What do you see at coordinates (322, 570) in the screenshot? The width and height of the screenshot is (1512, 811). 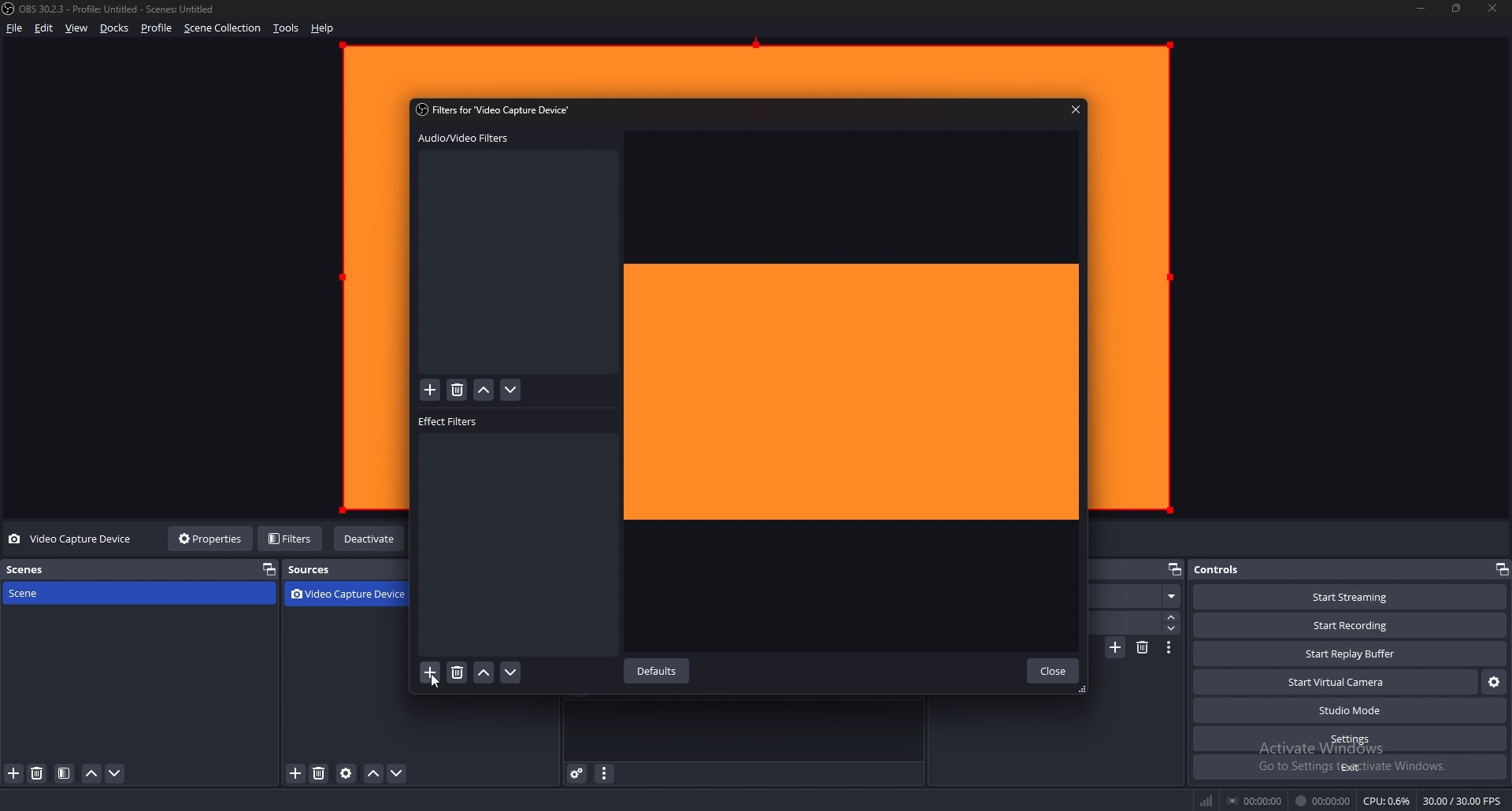 I see `sources` at bounding box center [322, 570].